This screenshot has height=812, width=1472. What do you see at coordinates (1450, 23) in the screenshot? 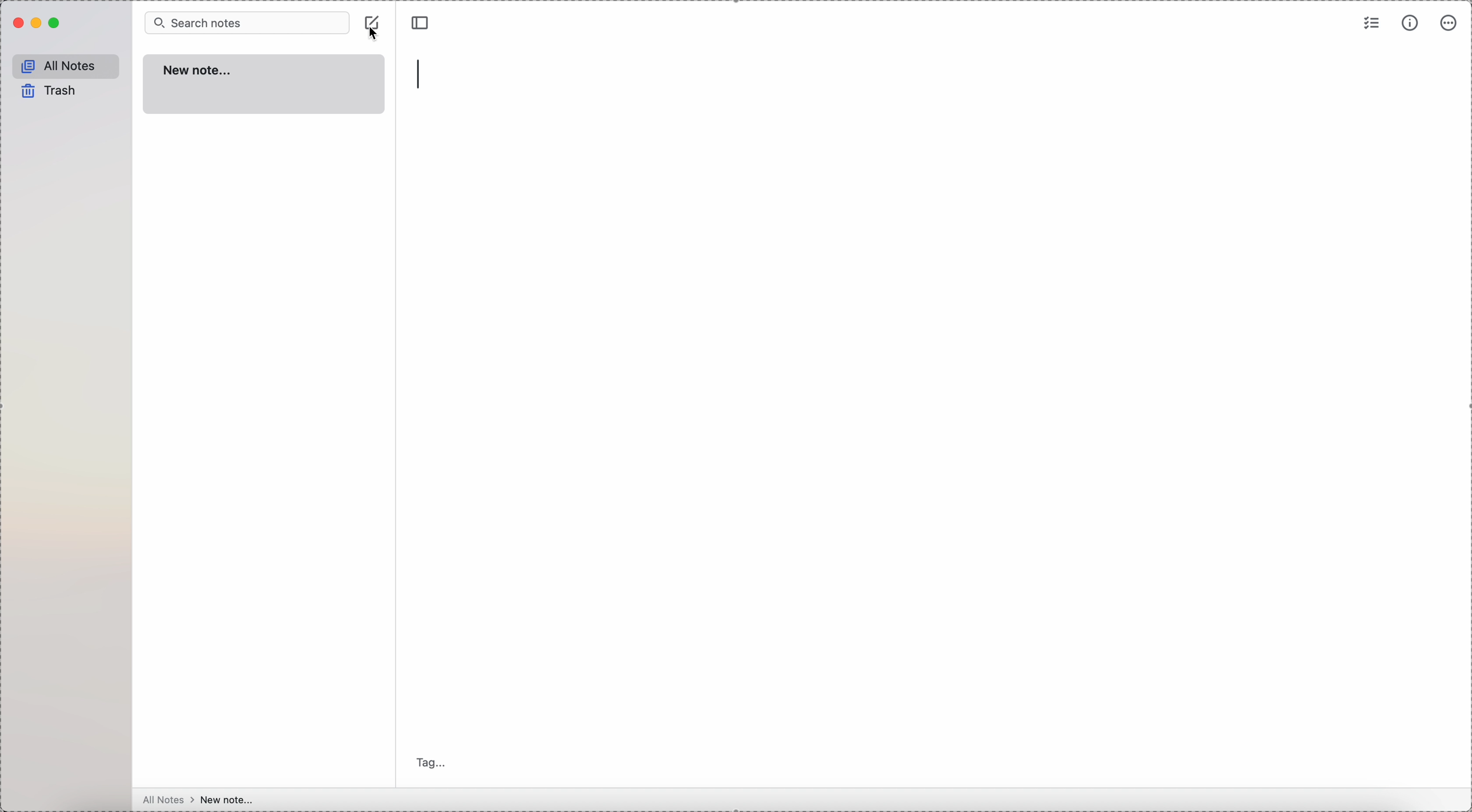
I see `more options` at bounding box center [1450, 23].